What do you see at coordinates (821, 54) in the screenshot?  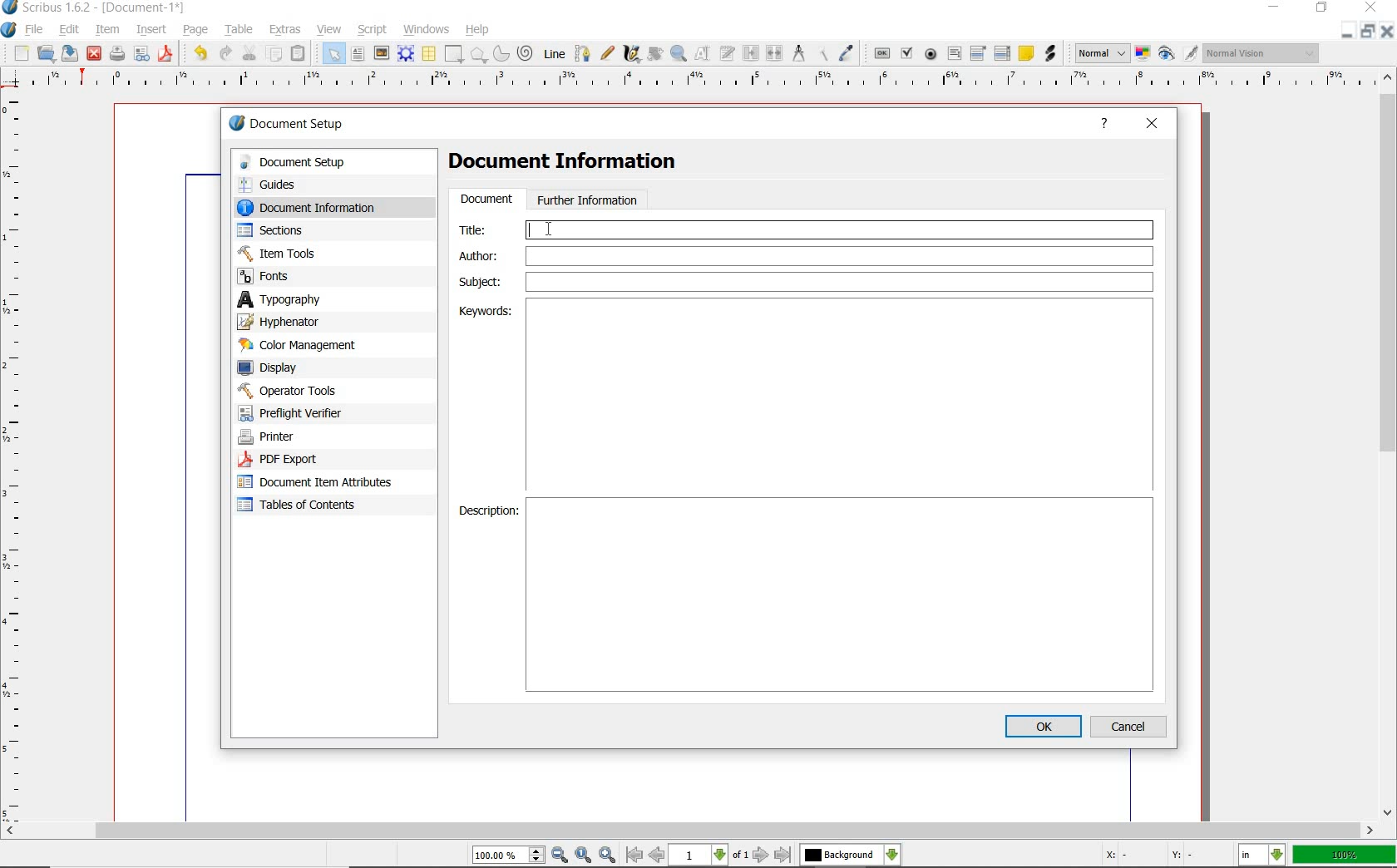 I see `copy item properties` at bounding box center [821, 54].